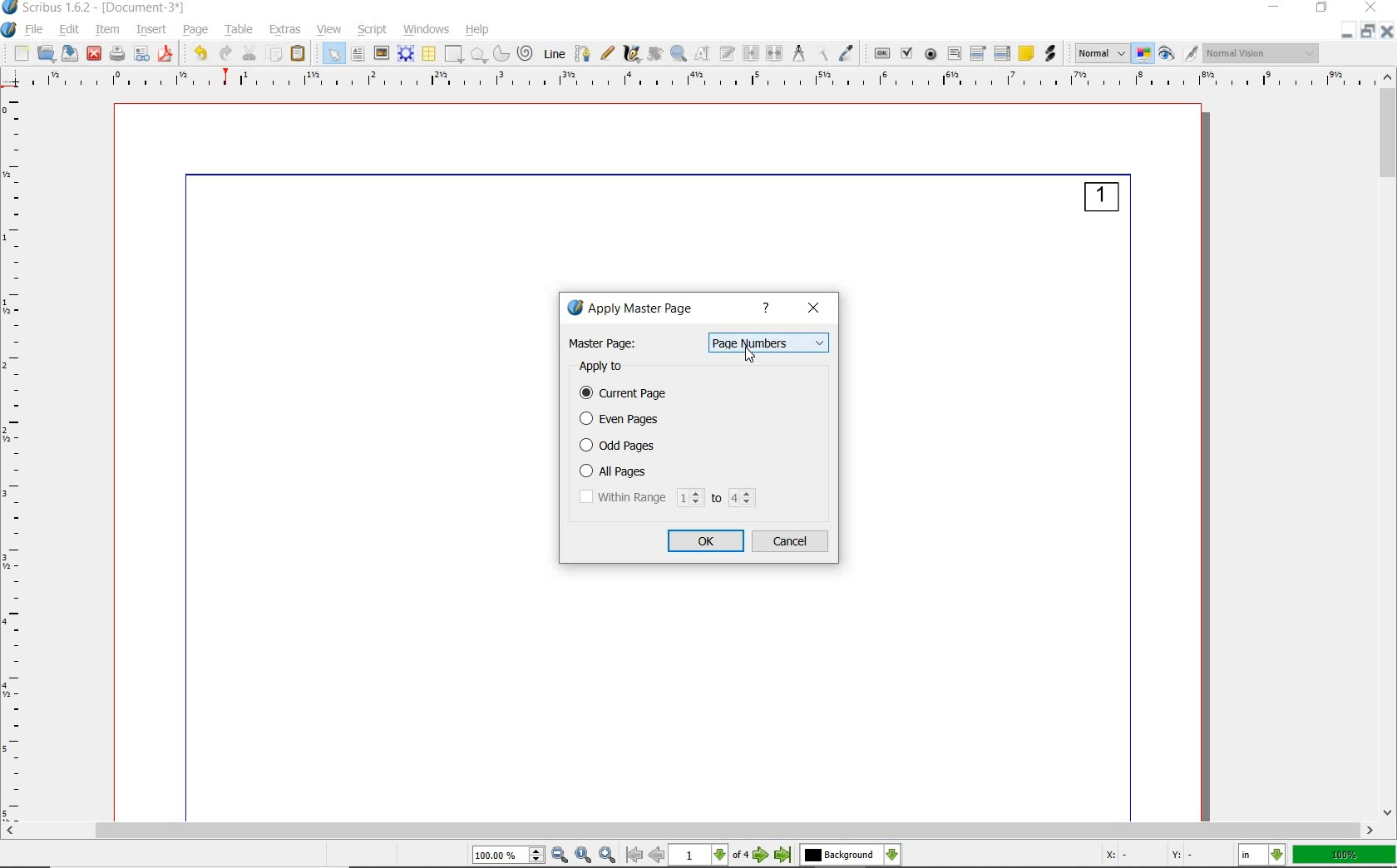 The image size is (1397, 868). What do you see at coordinates (381, 55) in the screenshot?
I see `image frame` at bounding box center [381, 55].